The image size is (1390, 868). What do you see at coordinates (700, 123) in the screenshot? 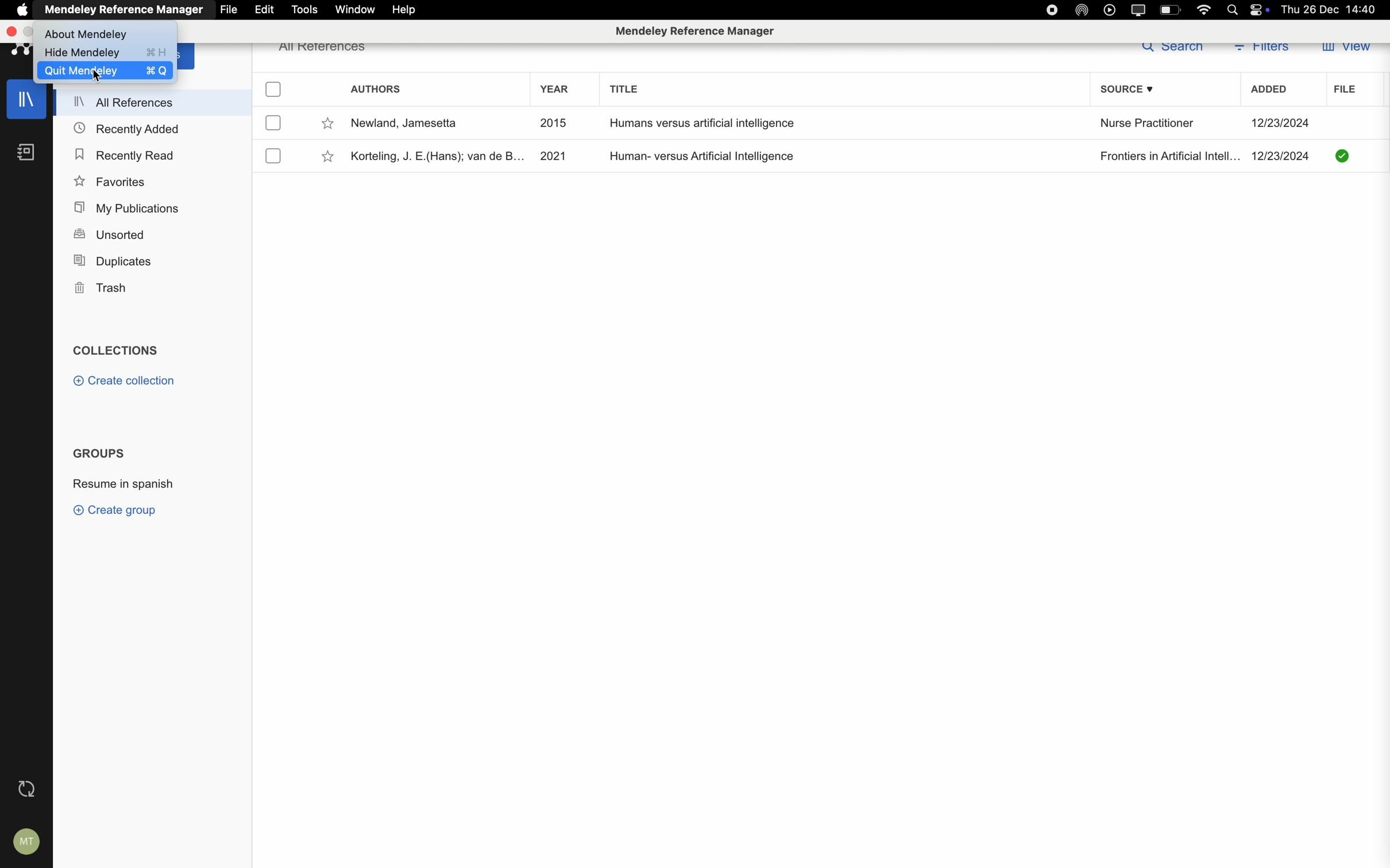
I see `Humans versus artificial intelligence` at bounding box center [700, 123].